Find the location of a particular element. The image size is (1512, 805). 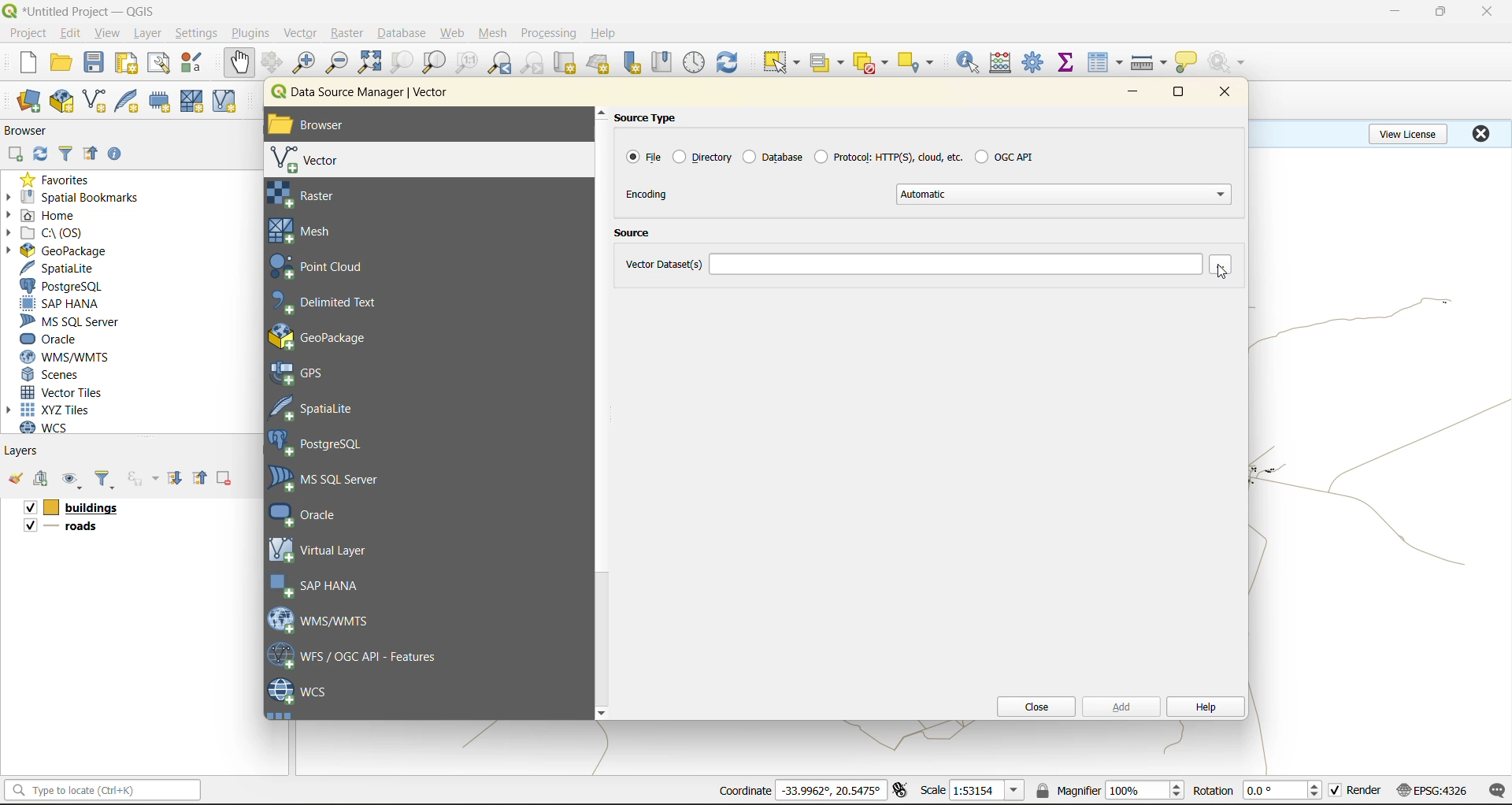

gps is located at coordinates (309, 373).